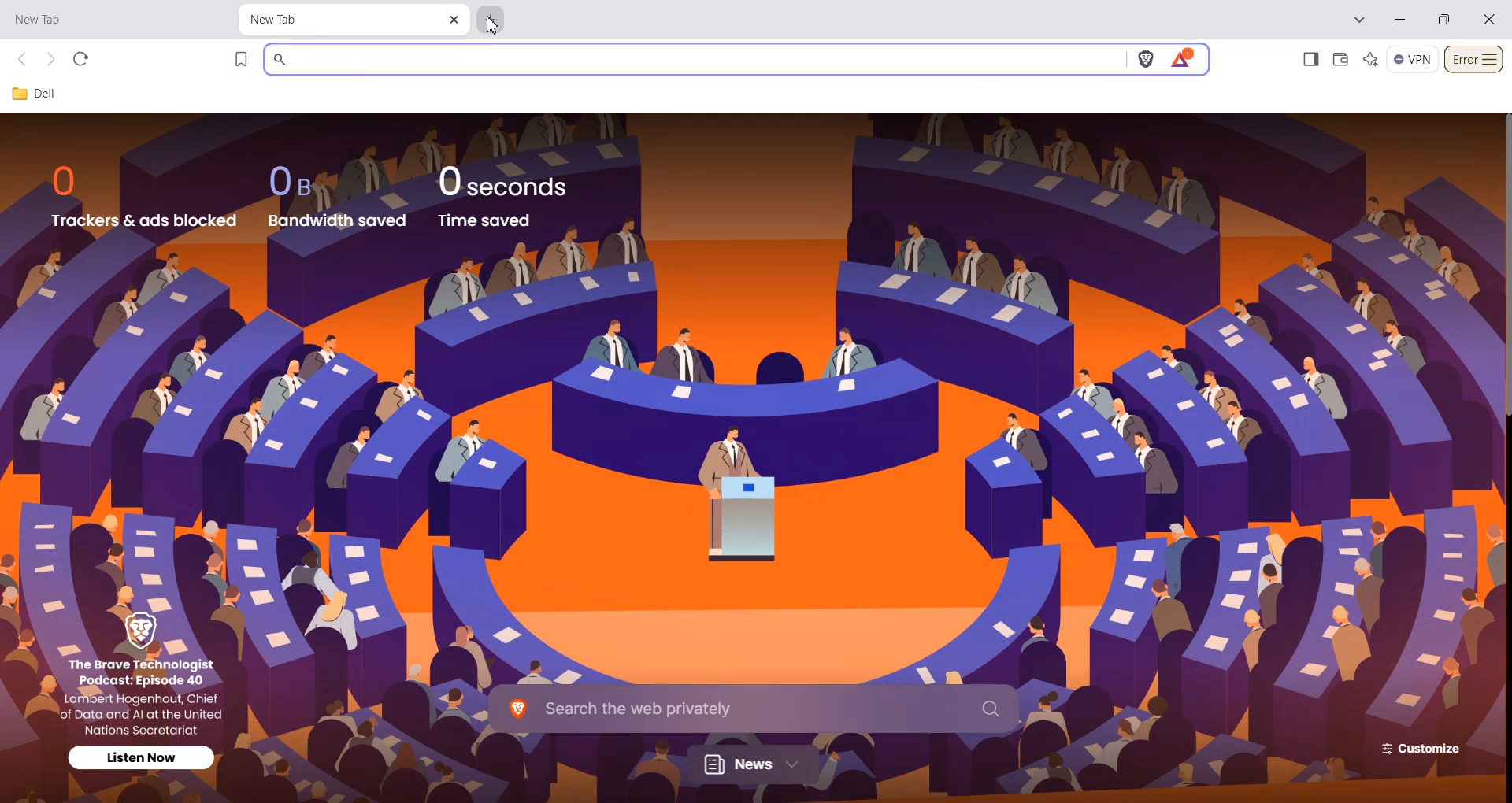 This screenshot has width=1512, height=803. What do you see at coordinates (454, 20) in the screenshot?
I see `Close` at bounding box center [454, 20].